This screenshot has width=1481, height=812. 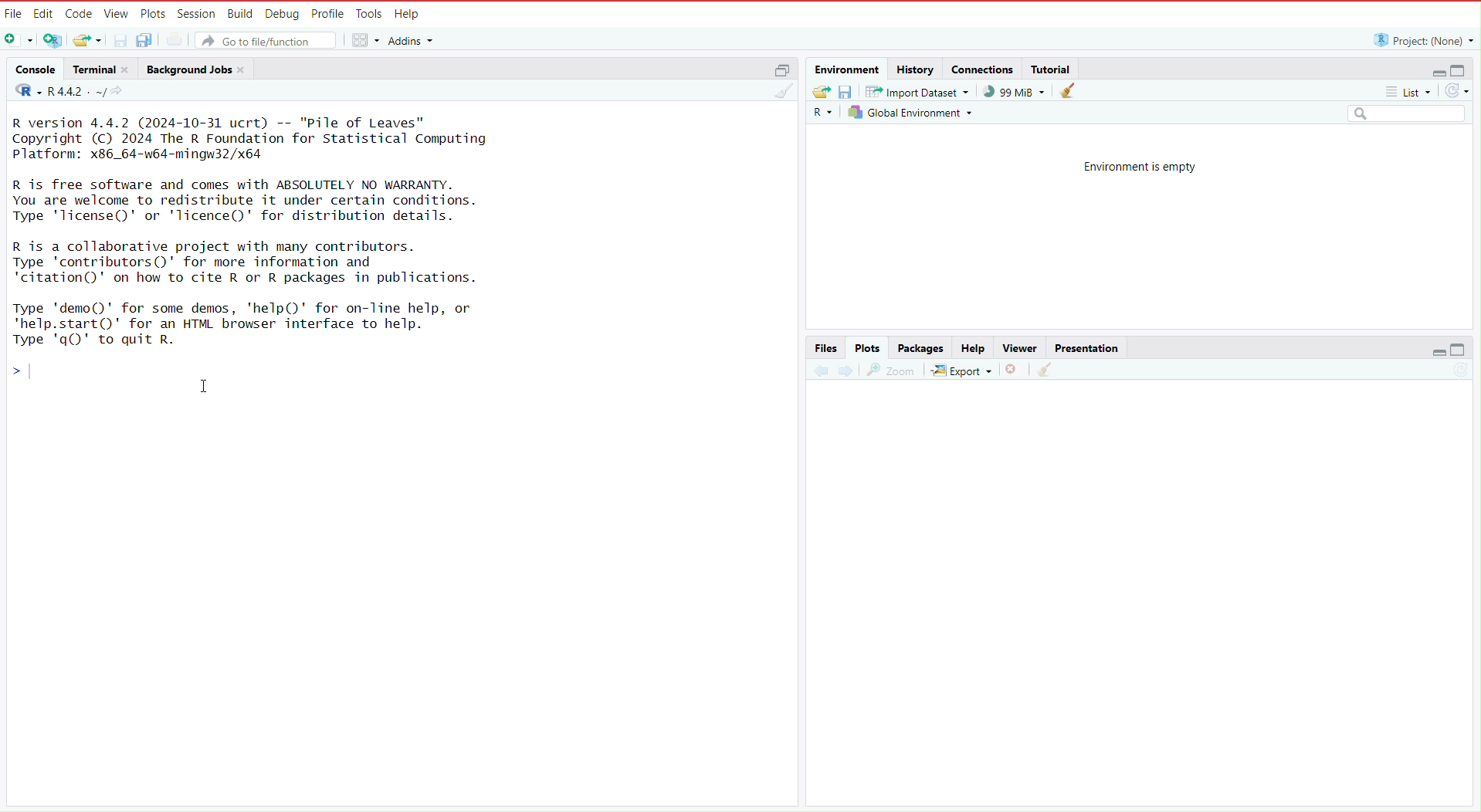 I want to click on code, so click(x=80, y=12).